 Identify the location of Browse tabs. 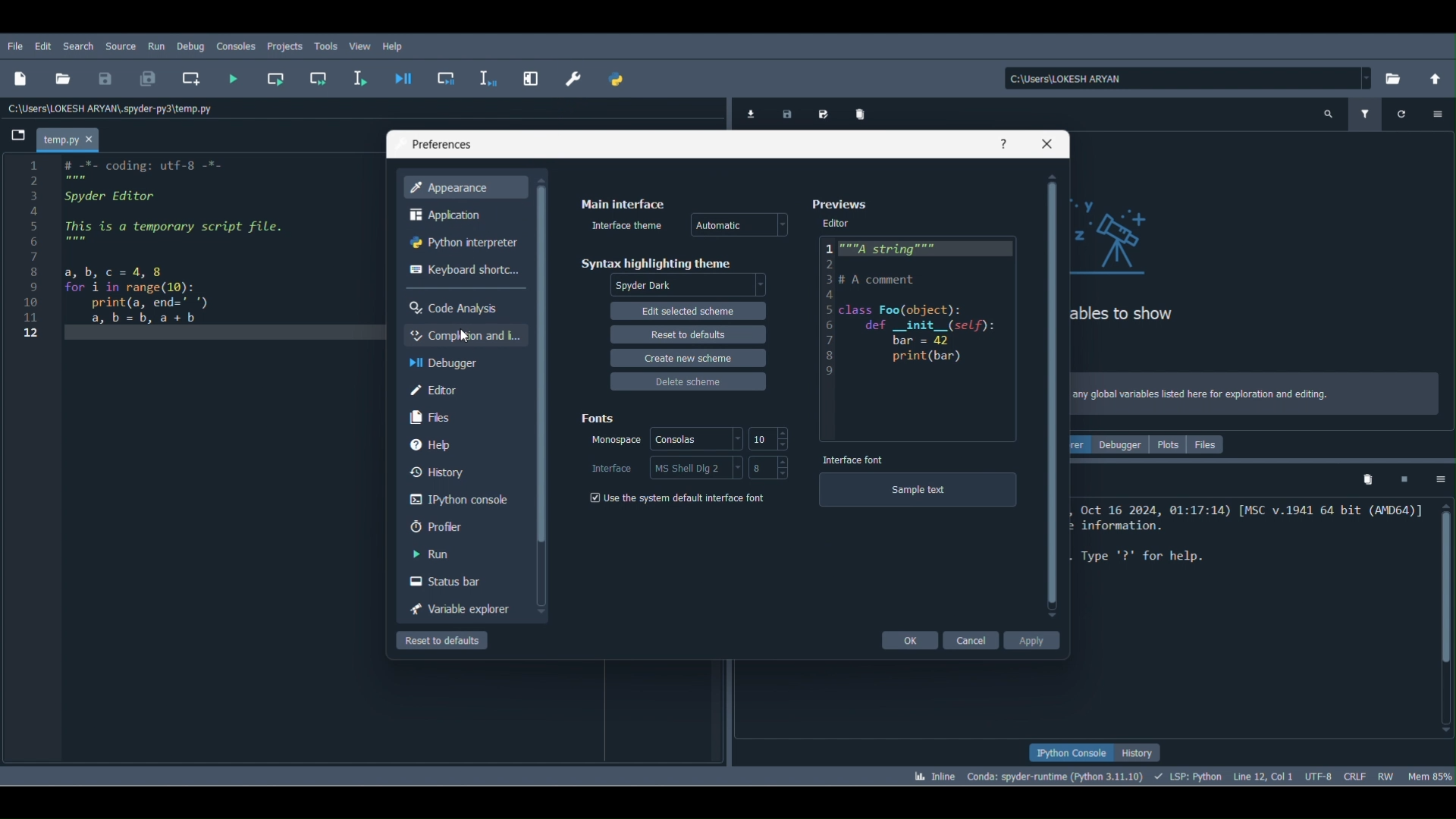
(20, 137).